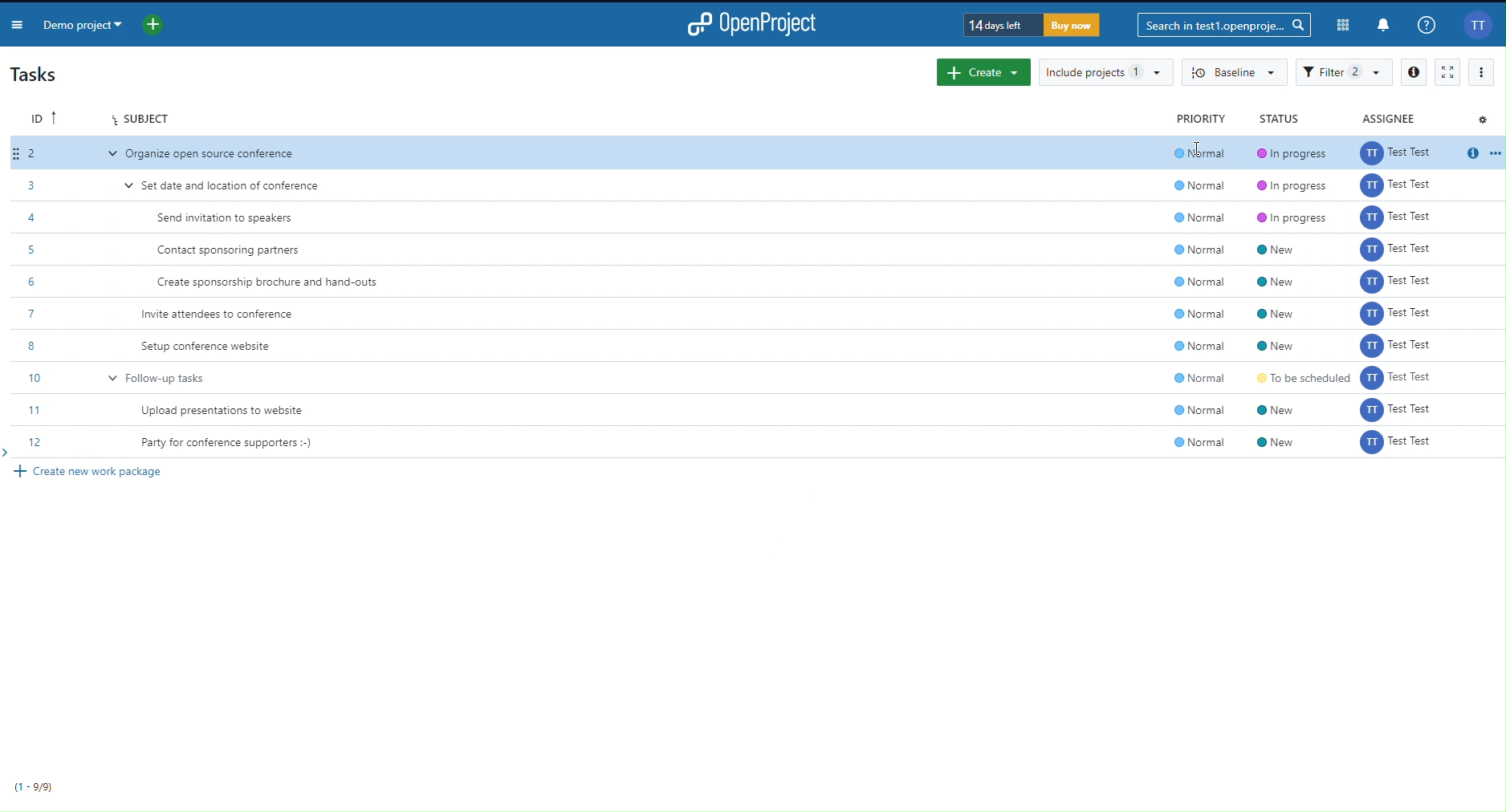 This screenshot has width=1506, height=812. I want to click on Create, so click(983, 72).